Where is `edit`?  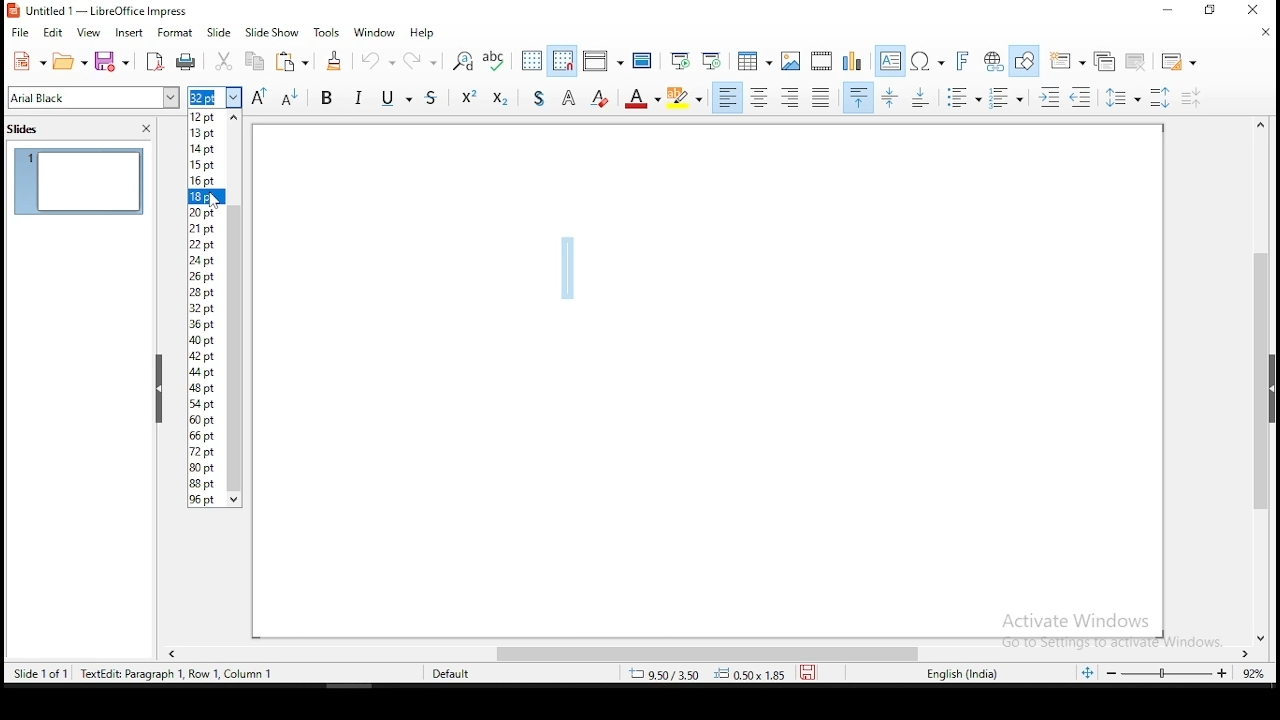
edit is located at coordinates (51, 33).